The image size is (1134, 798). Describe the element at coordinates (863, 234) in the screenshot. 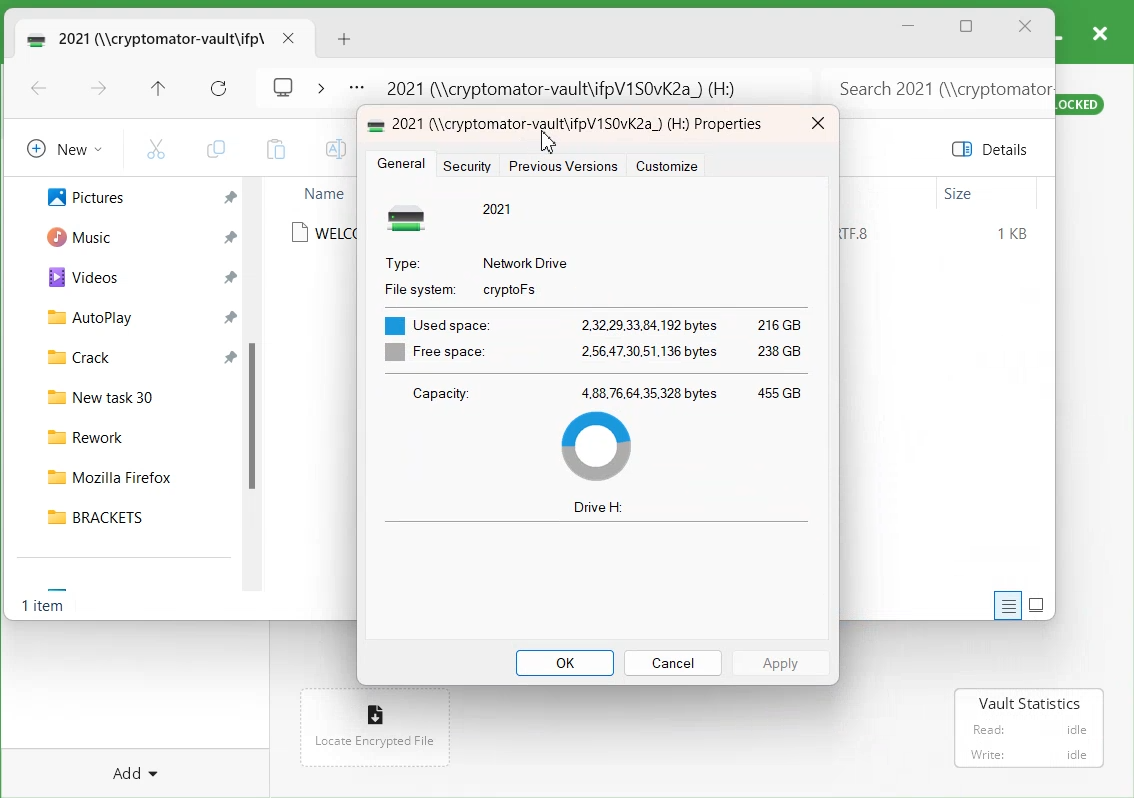

I see `Word RTF 8` at that location.